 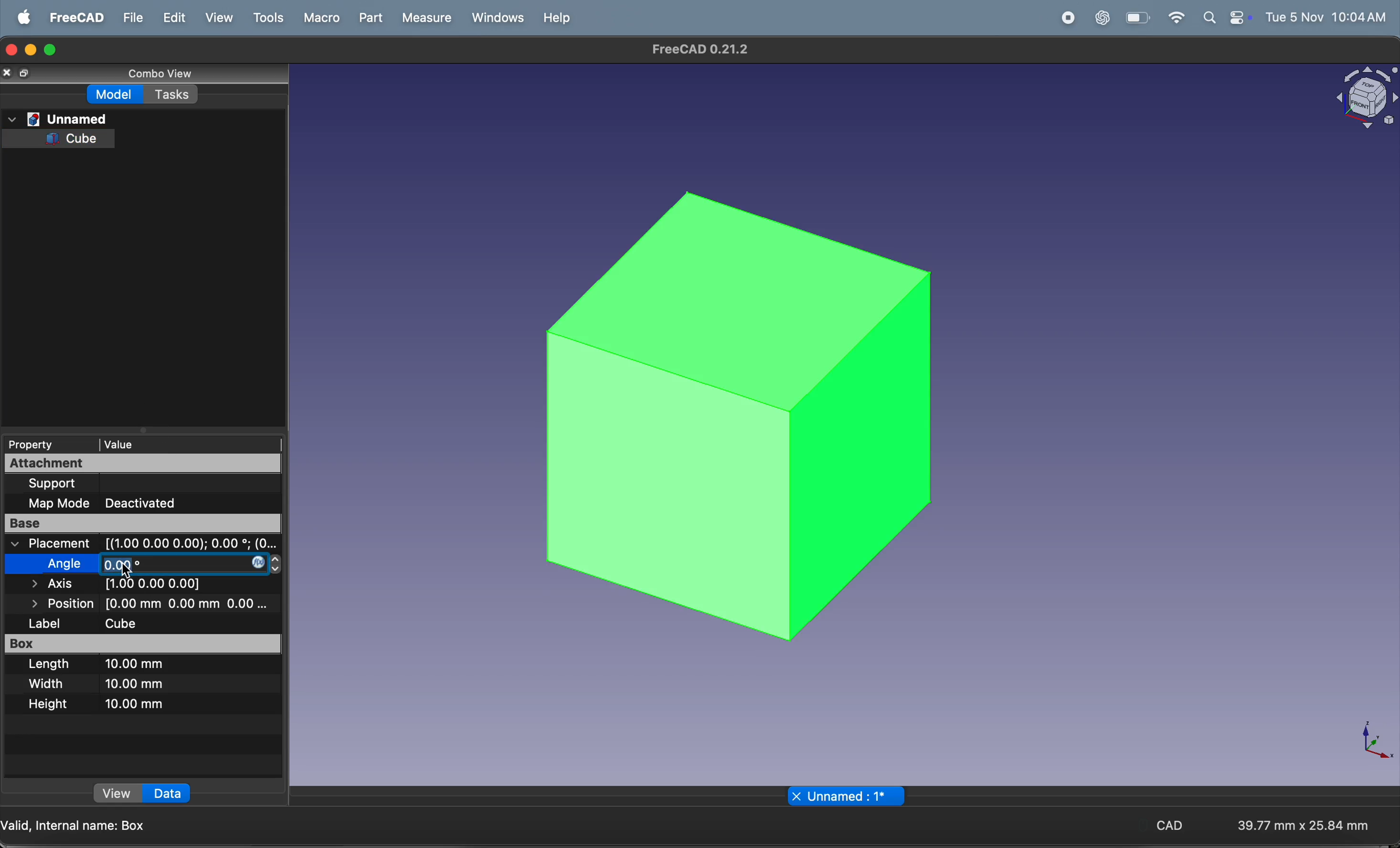 I want to click on support, so click(x=139, y=483).